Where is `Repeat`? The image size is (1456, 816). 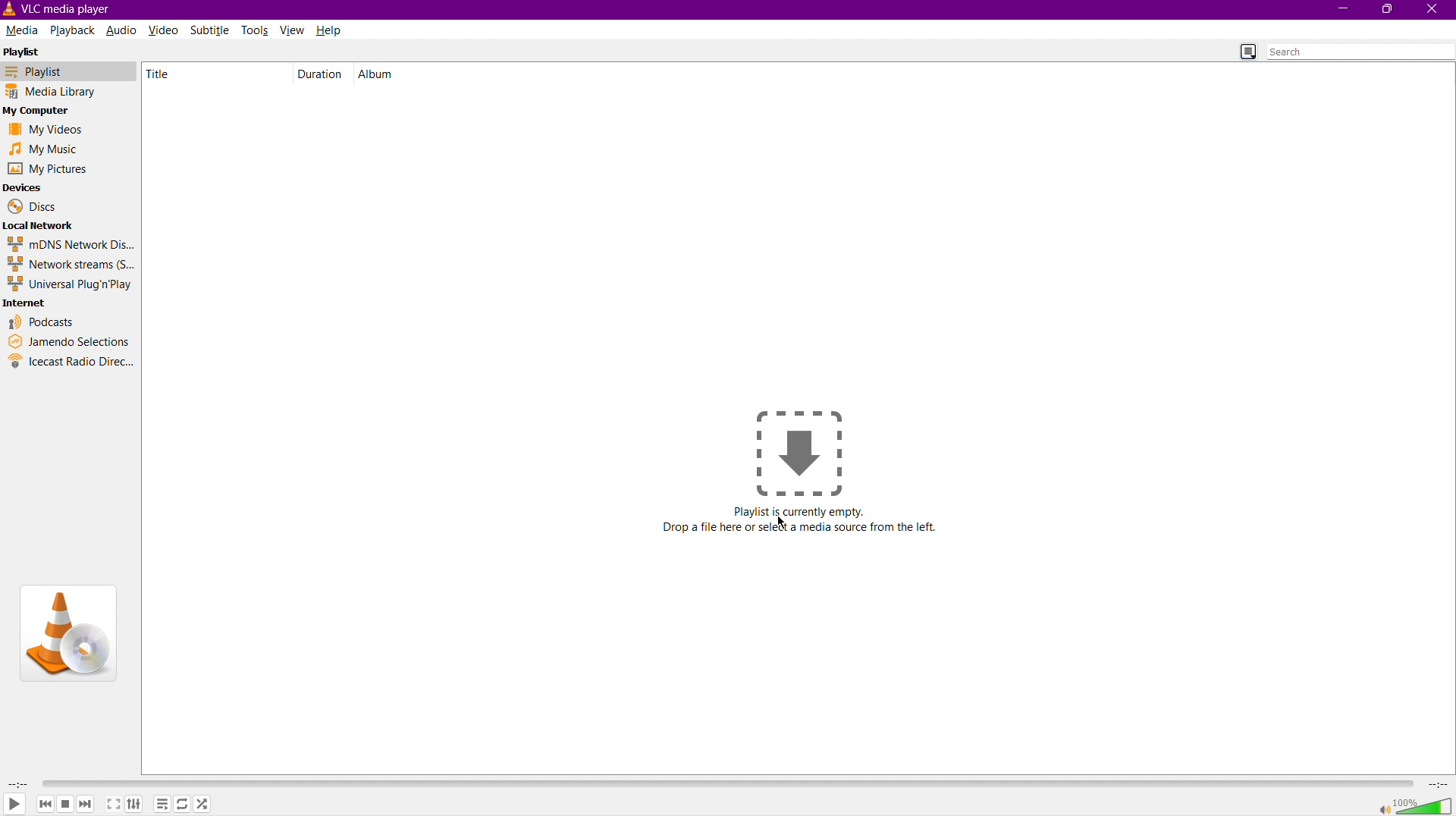
Repeat is located at coordinates (182, 804).